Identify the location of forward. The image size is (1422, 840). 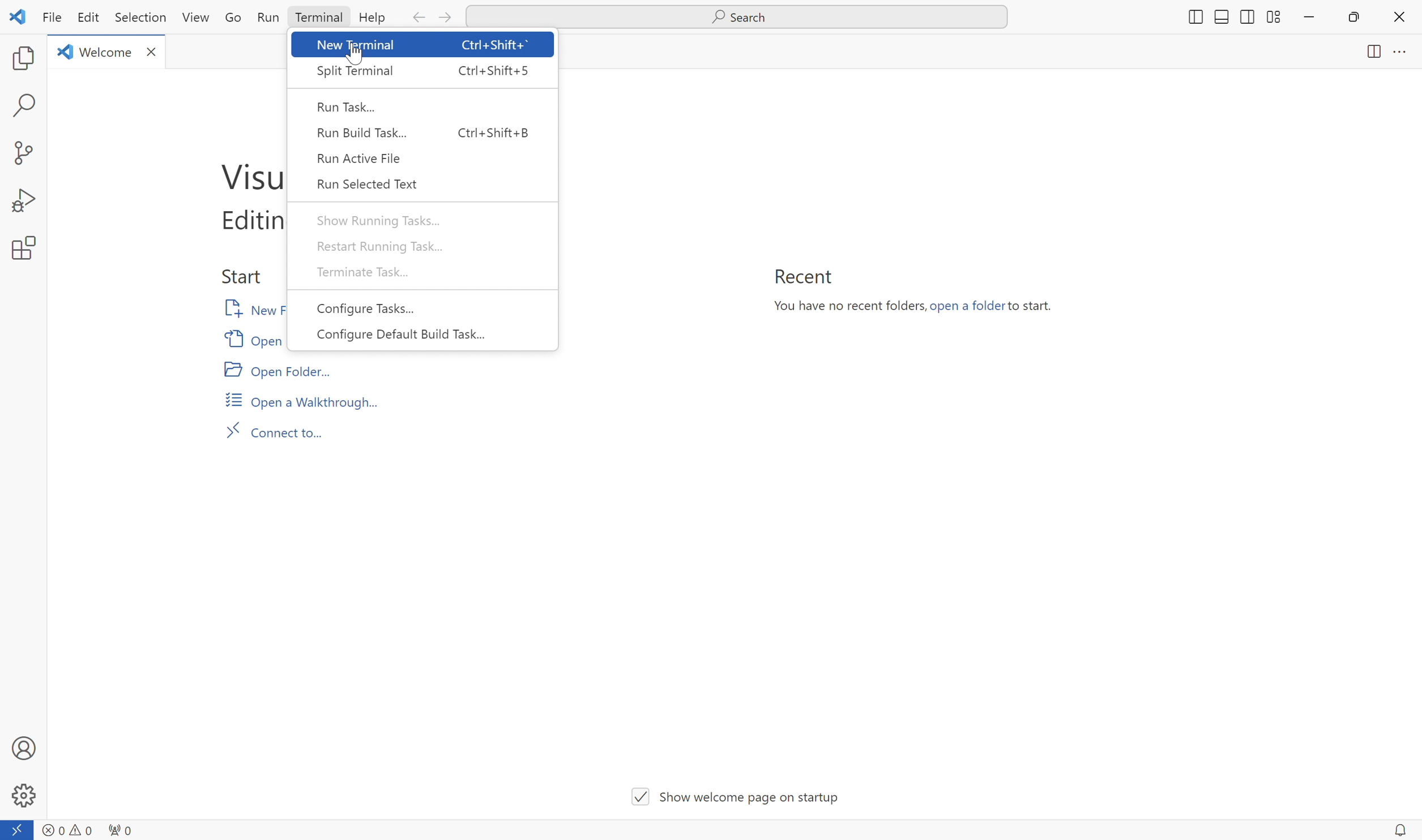
(447, 18).